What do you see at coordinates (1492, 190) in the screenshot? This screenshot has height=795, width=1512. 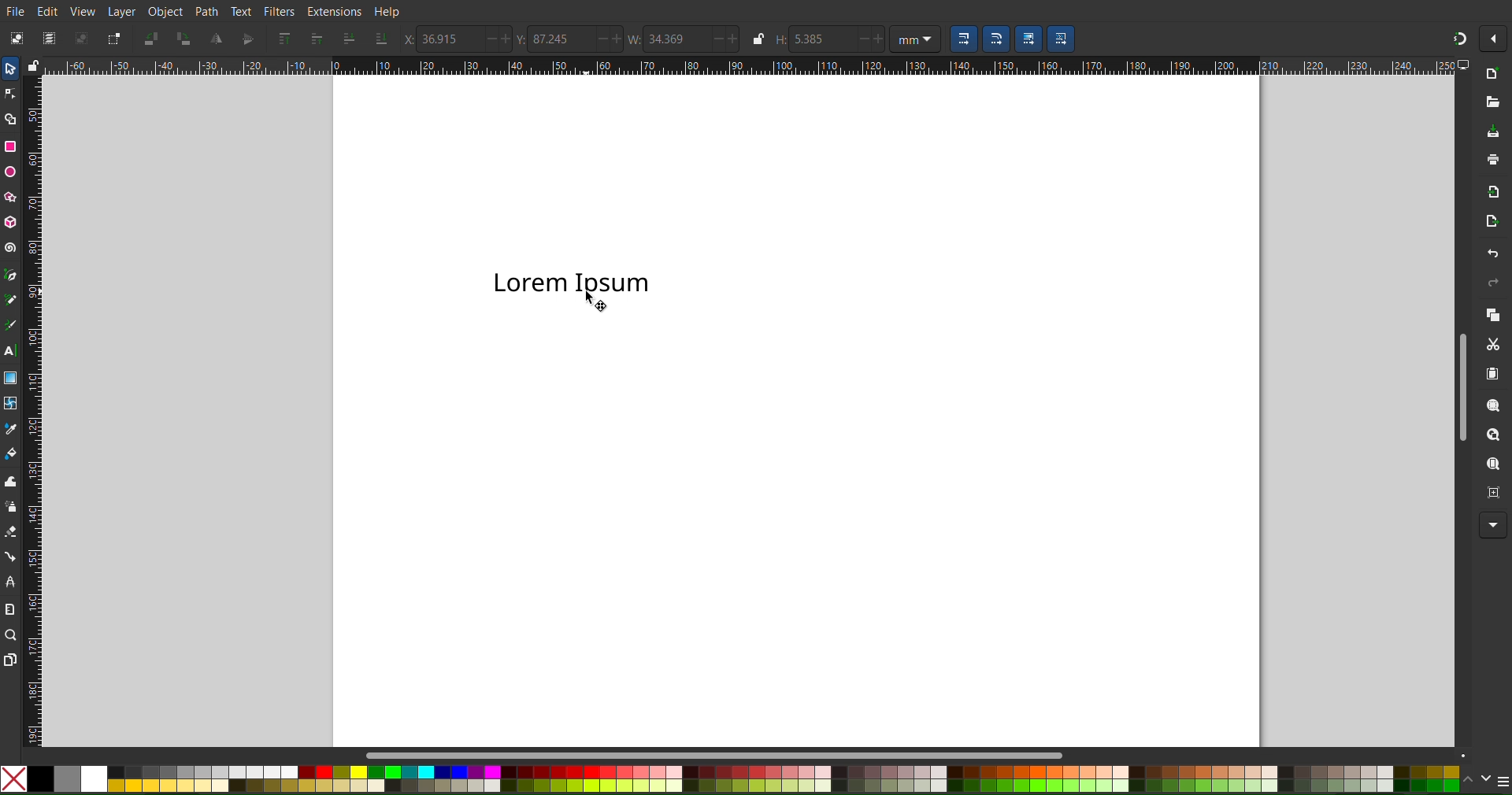 I see `Import BitMap` at bounding box center [1492, 190].